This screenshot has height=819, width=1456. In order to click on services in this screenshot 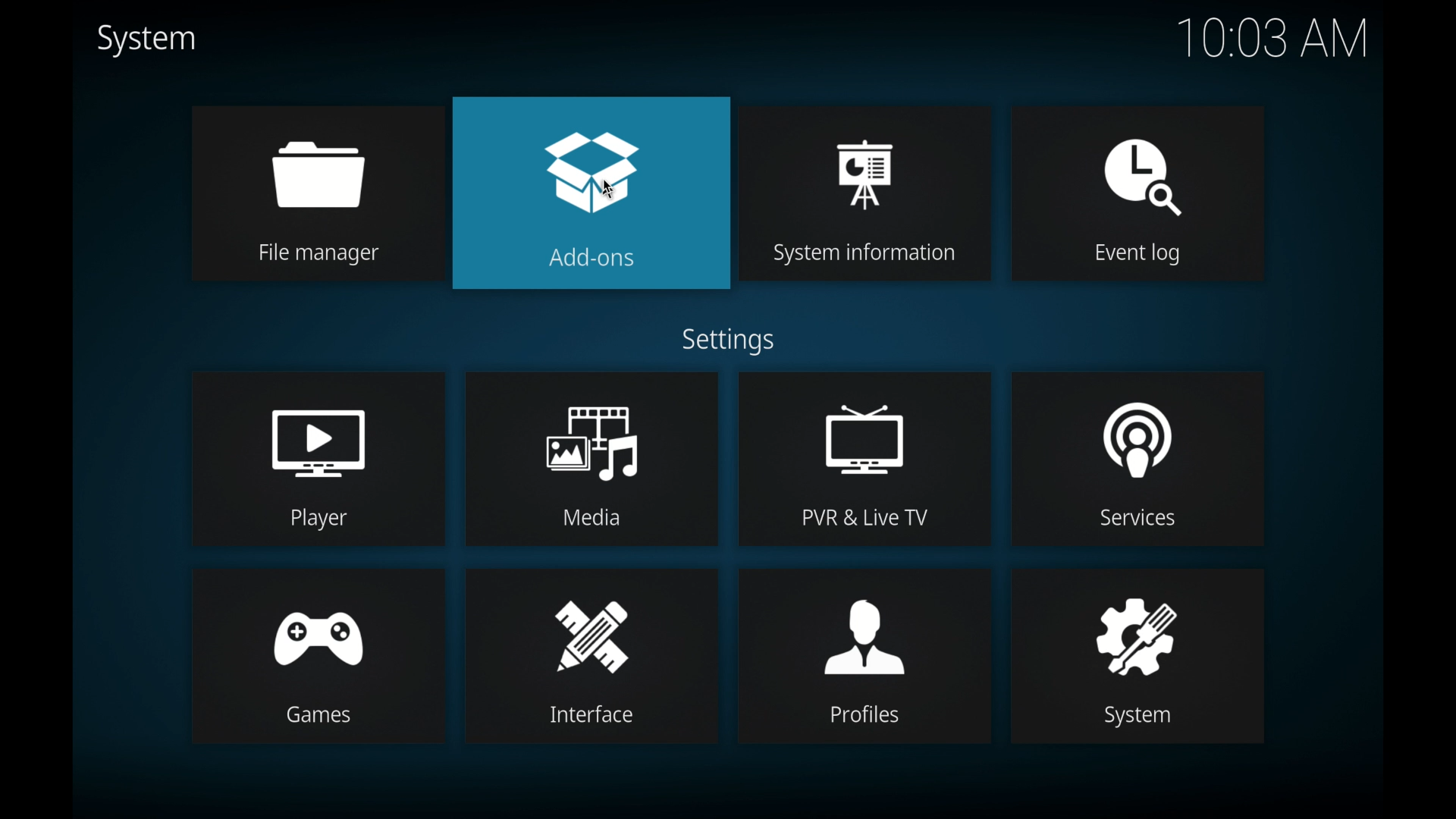, I will do `click(1137, 457)`.